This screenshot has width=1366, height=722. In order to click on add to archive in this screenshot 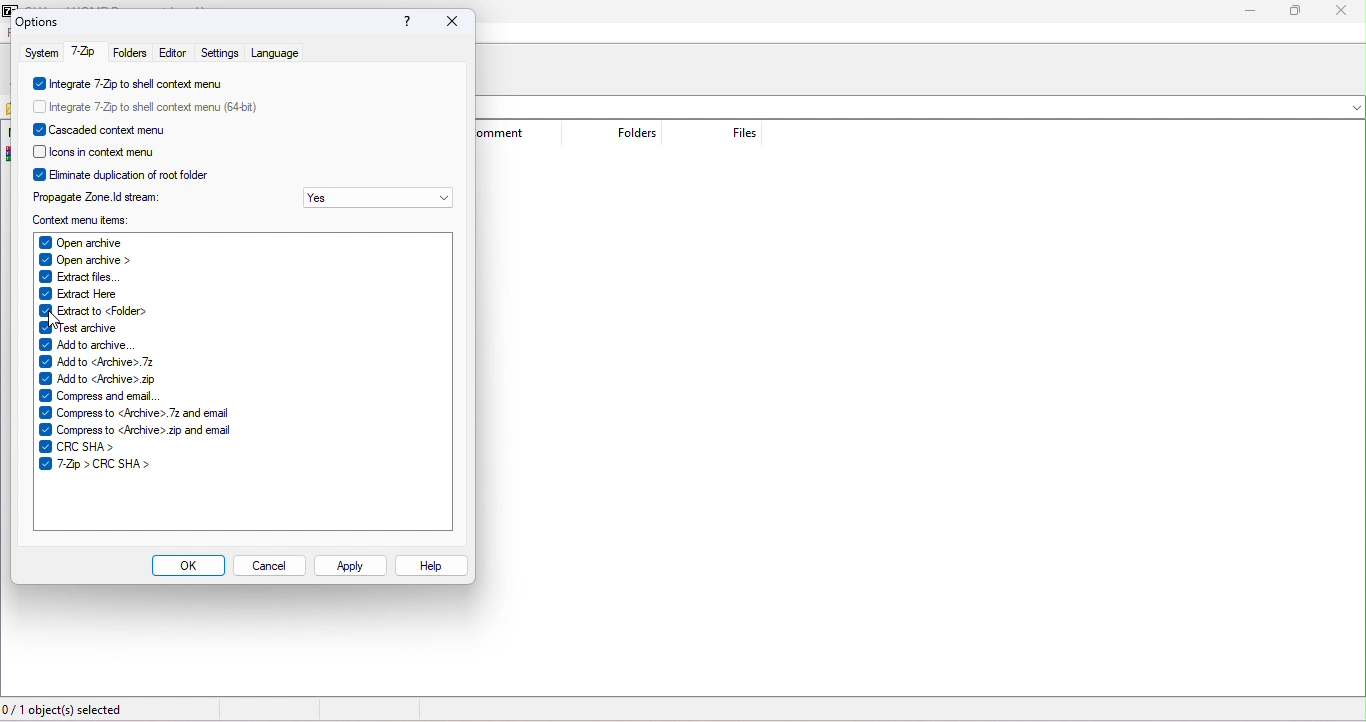, I will do `click(88, 343)`.